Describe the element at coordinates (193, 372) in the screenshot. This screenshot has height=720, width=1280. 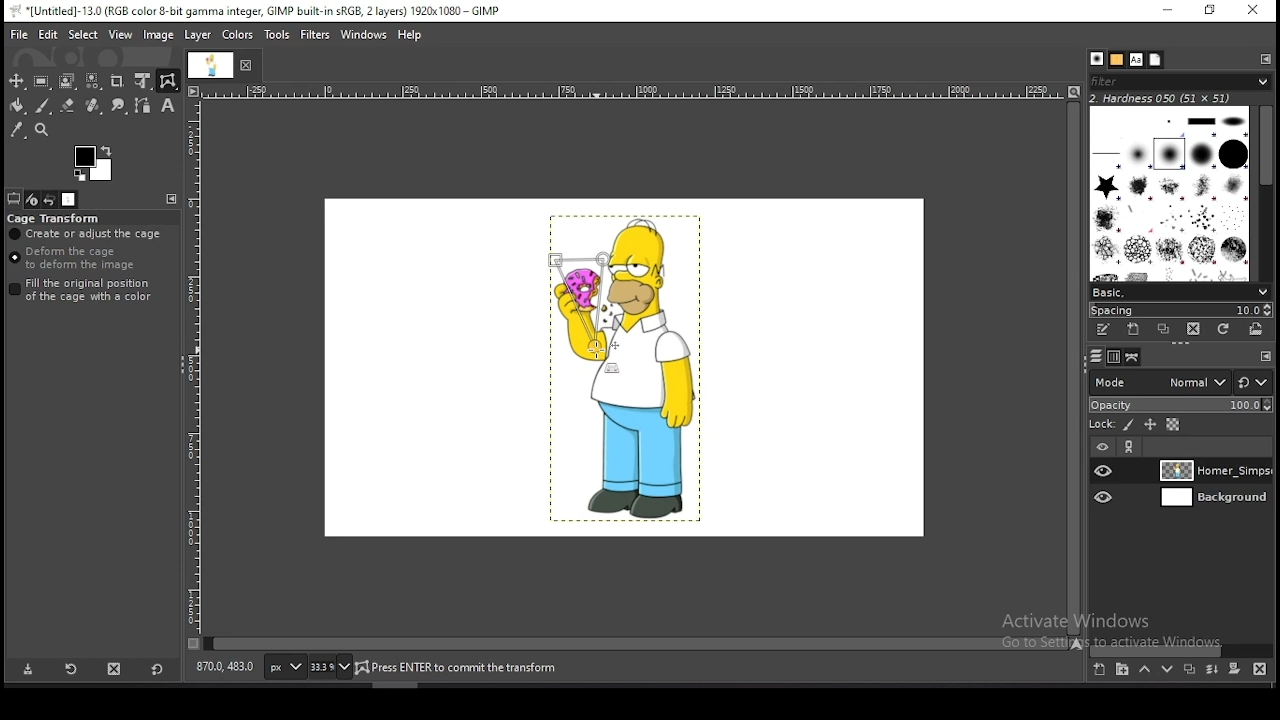
I see `scale` at that location.